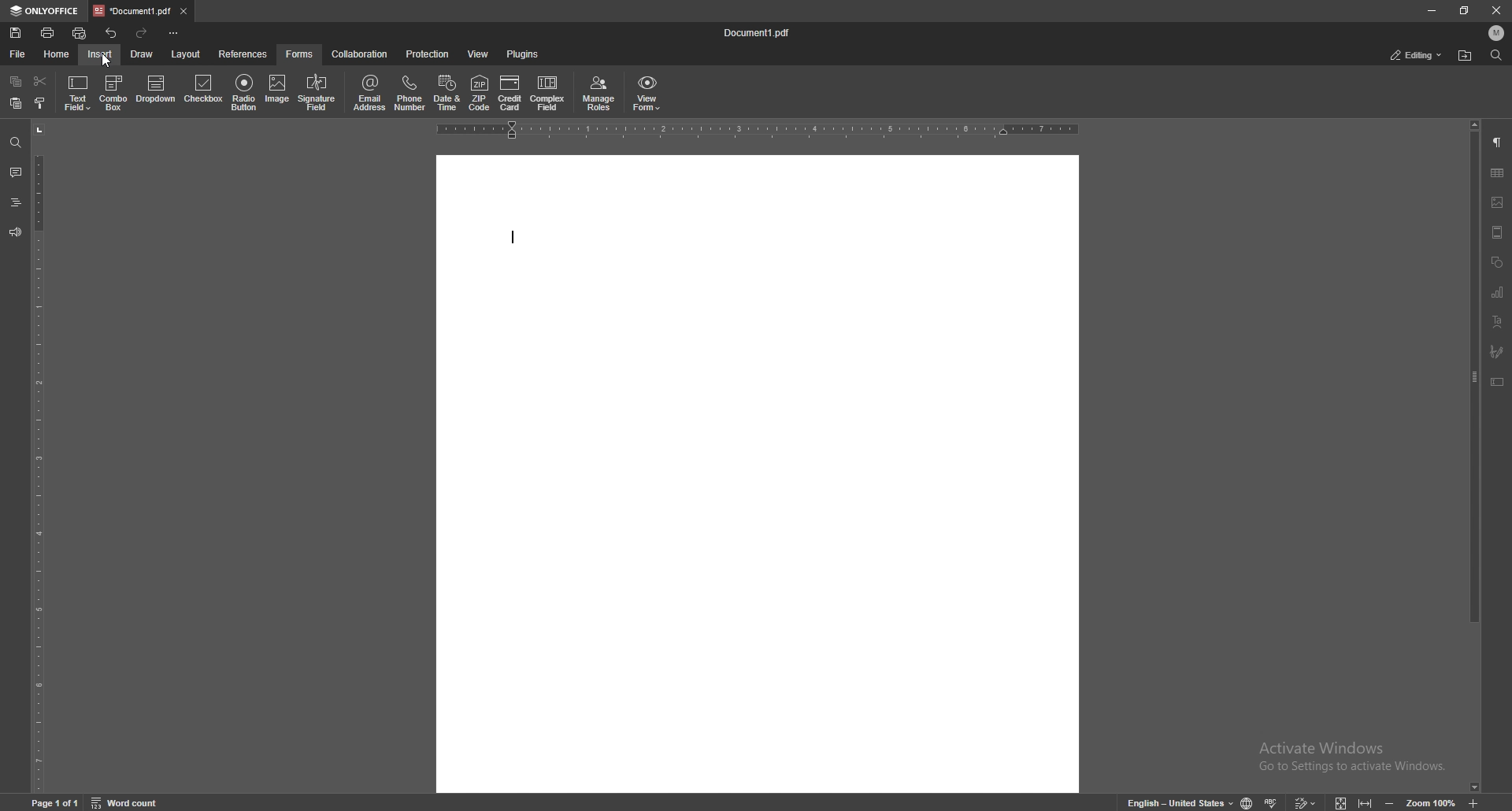 The image size is (1512, 811). Describe the element at coordinates (1495, 54) in the screenshot. I see `find` at that location.